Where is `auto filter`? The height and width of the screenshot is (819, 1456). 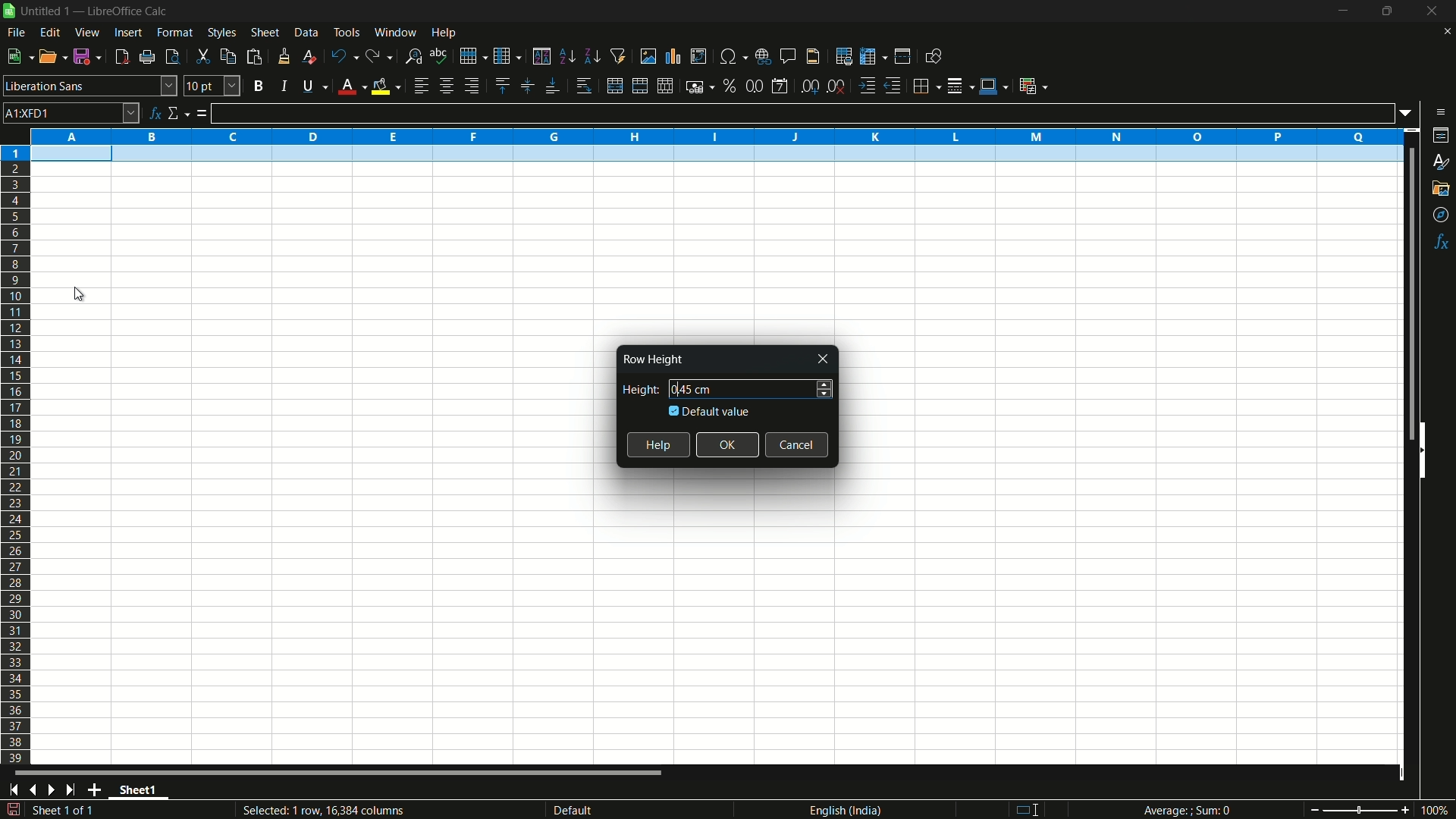 auto filter is located at coordinates (619, 56).